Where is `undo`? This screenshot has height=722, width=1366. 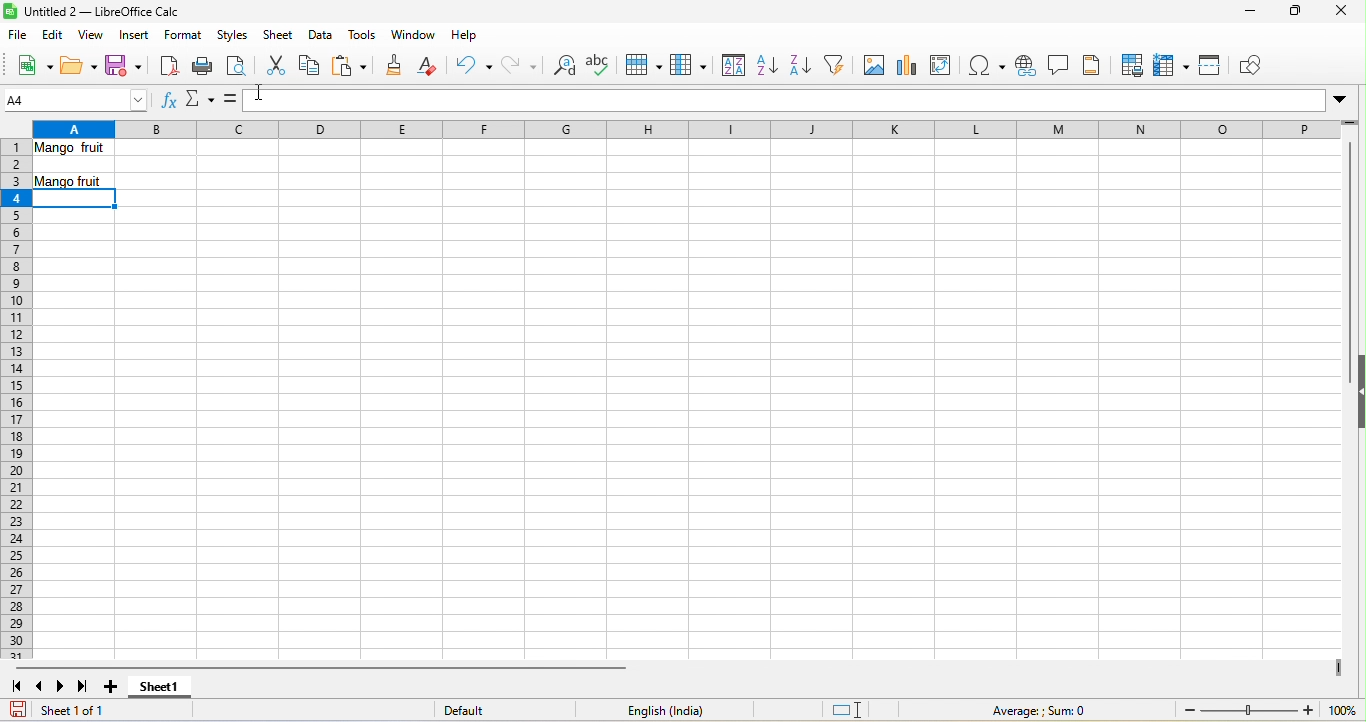
undo is located at coordinates (473, 67).